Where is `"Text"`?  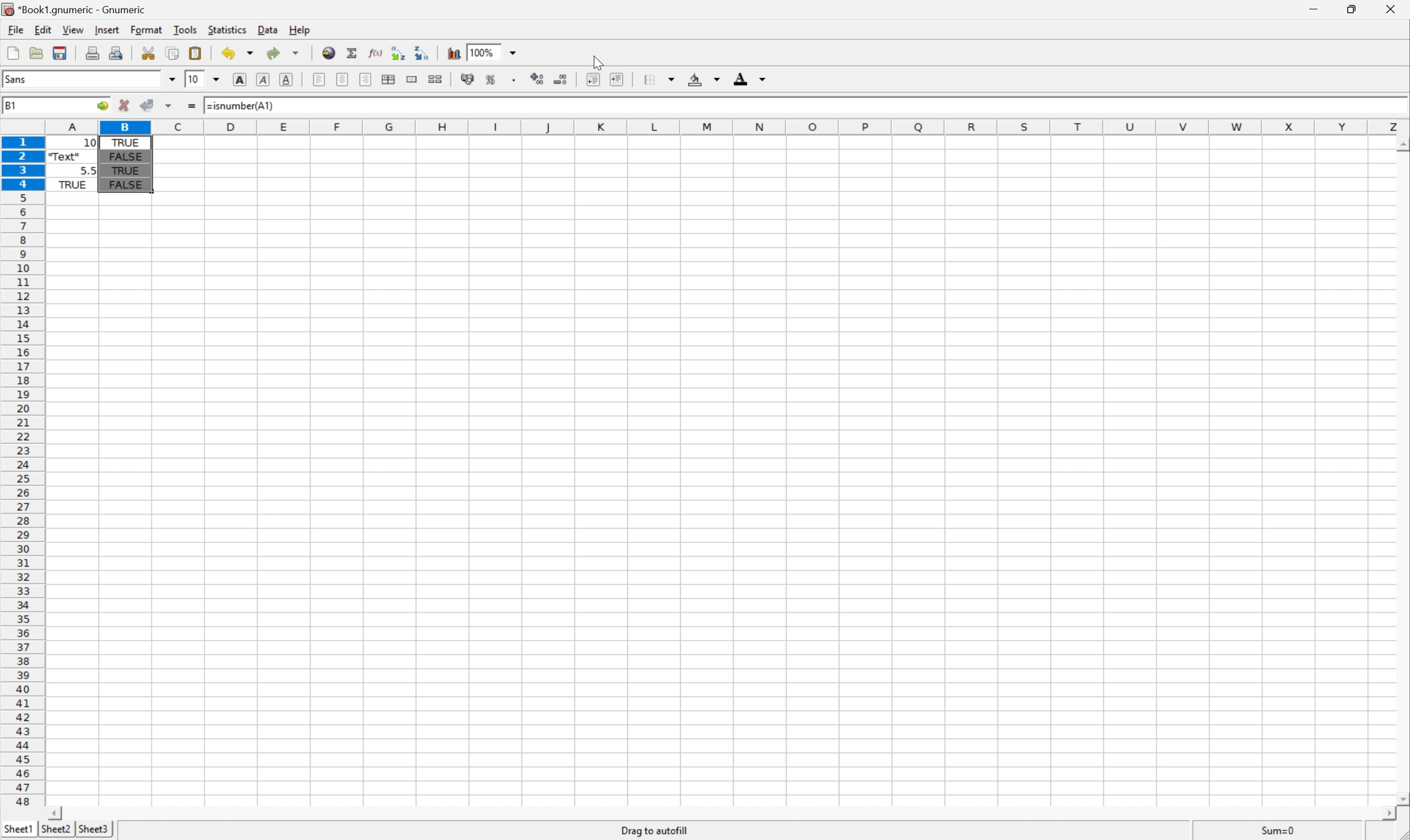
"Text" is located at coordinates (65, 158).